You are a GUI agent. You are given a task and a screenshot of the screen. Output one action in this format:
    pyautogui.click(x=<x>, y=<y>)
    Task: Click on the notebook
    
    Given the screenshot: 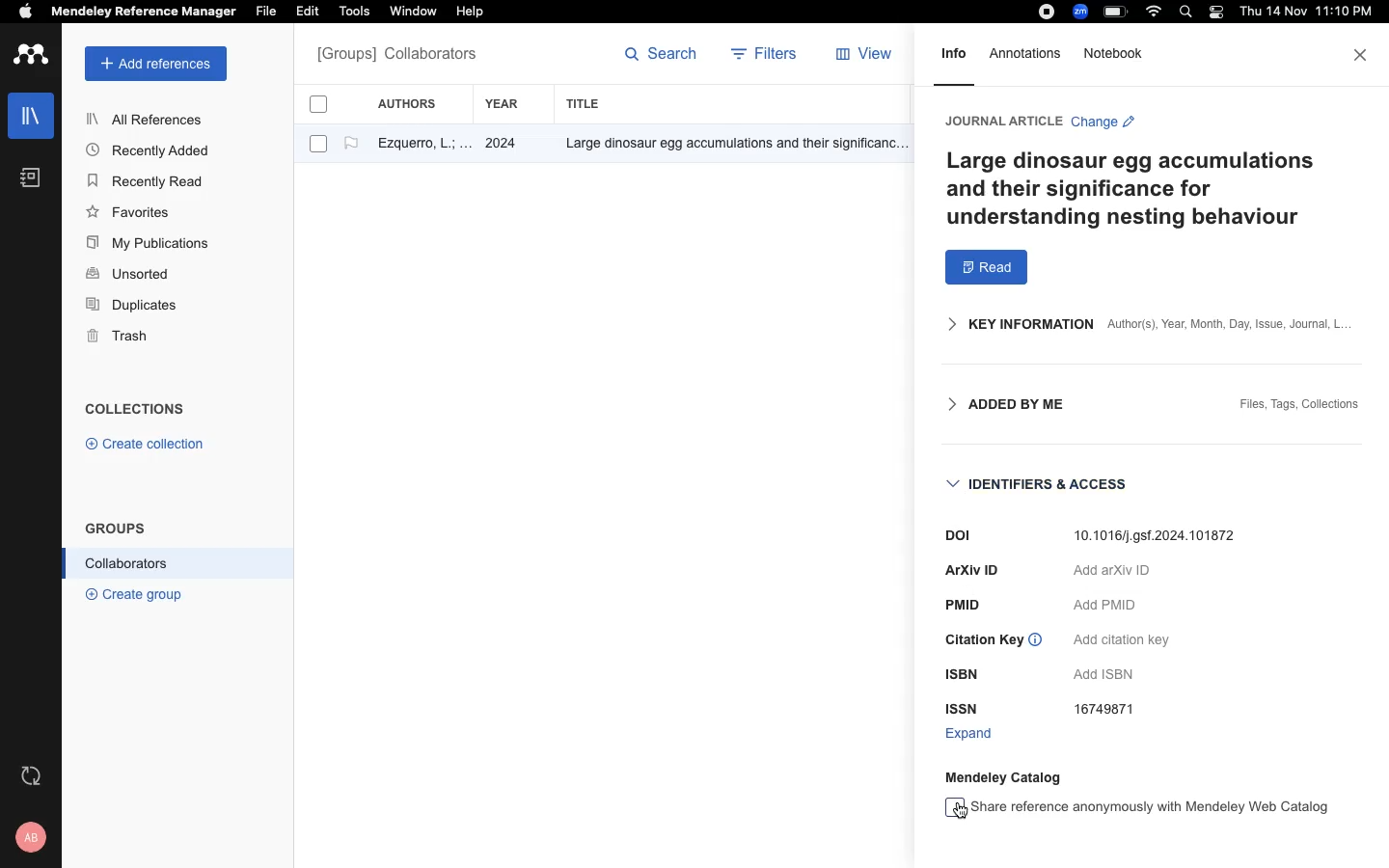 What is the action you would take?
    pyautogui.click(x=1119, y=53)
    